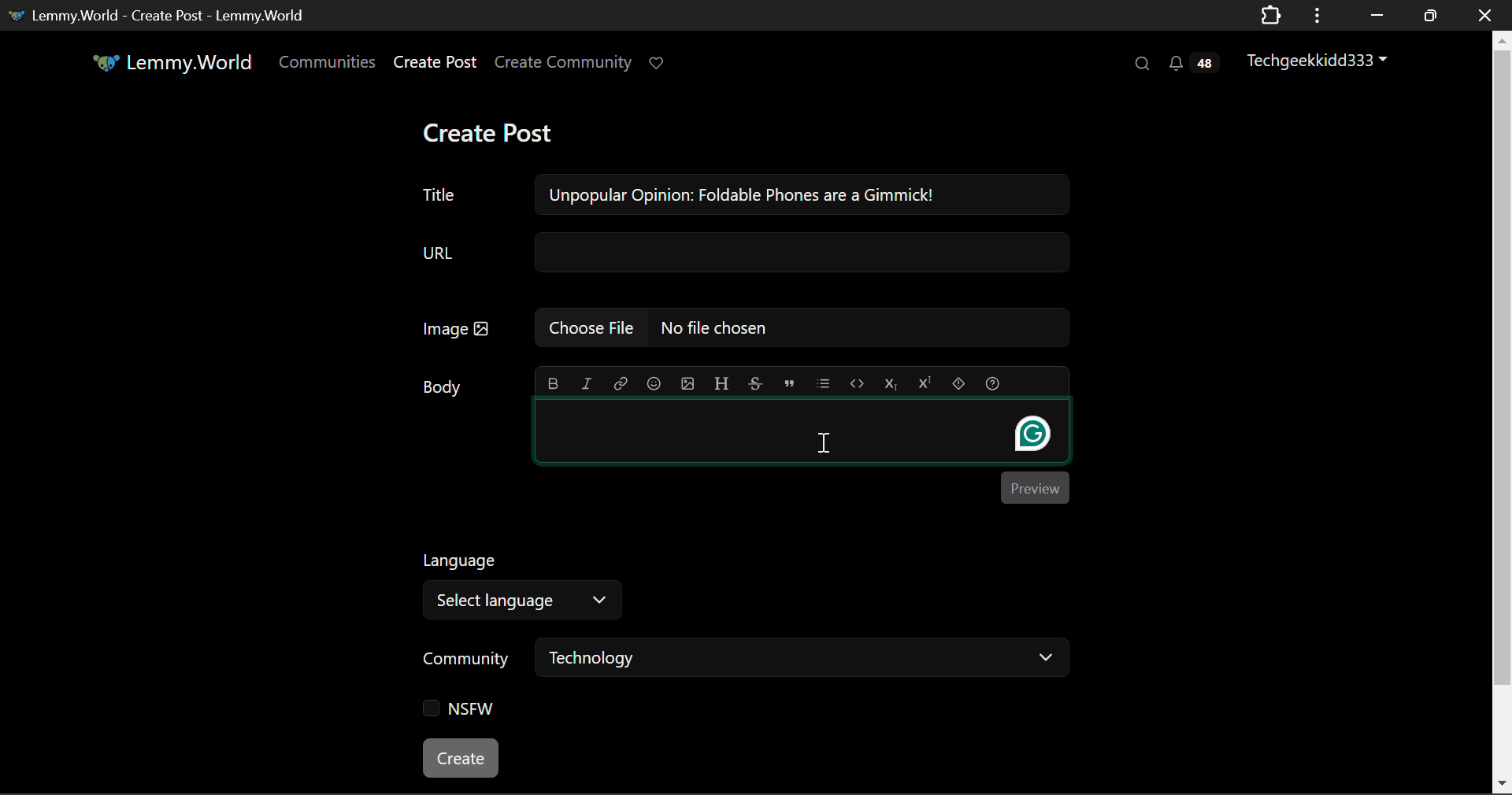  I want to click on code, so click(857, 383).